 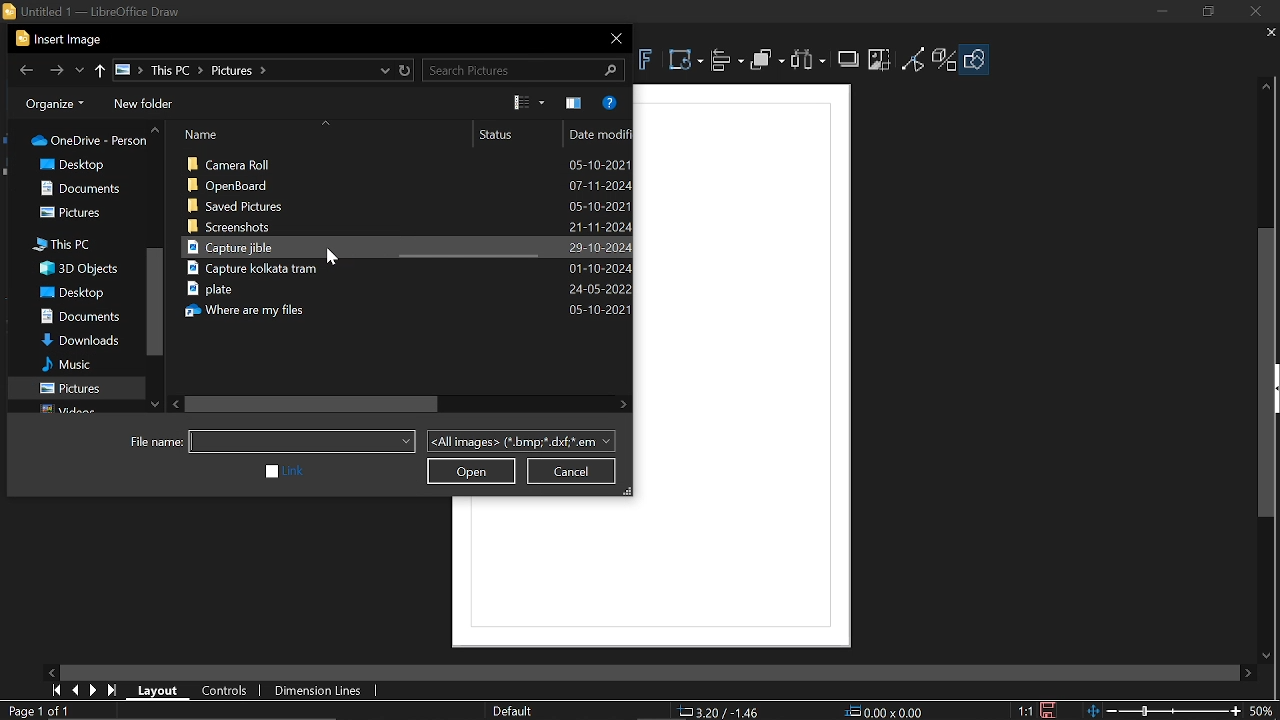 I want to click on Folders, so click(x=76, y=274).